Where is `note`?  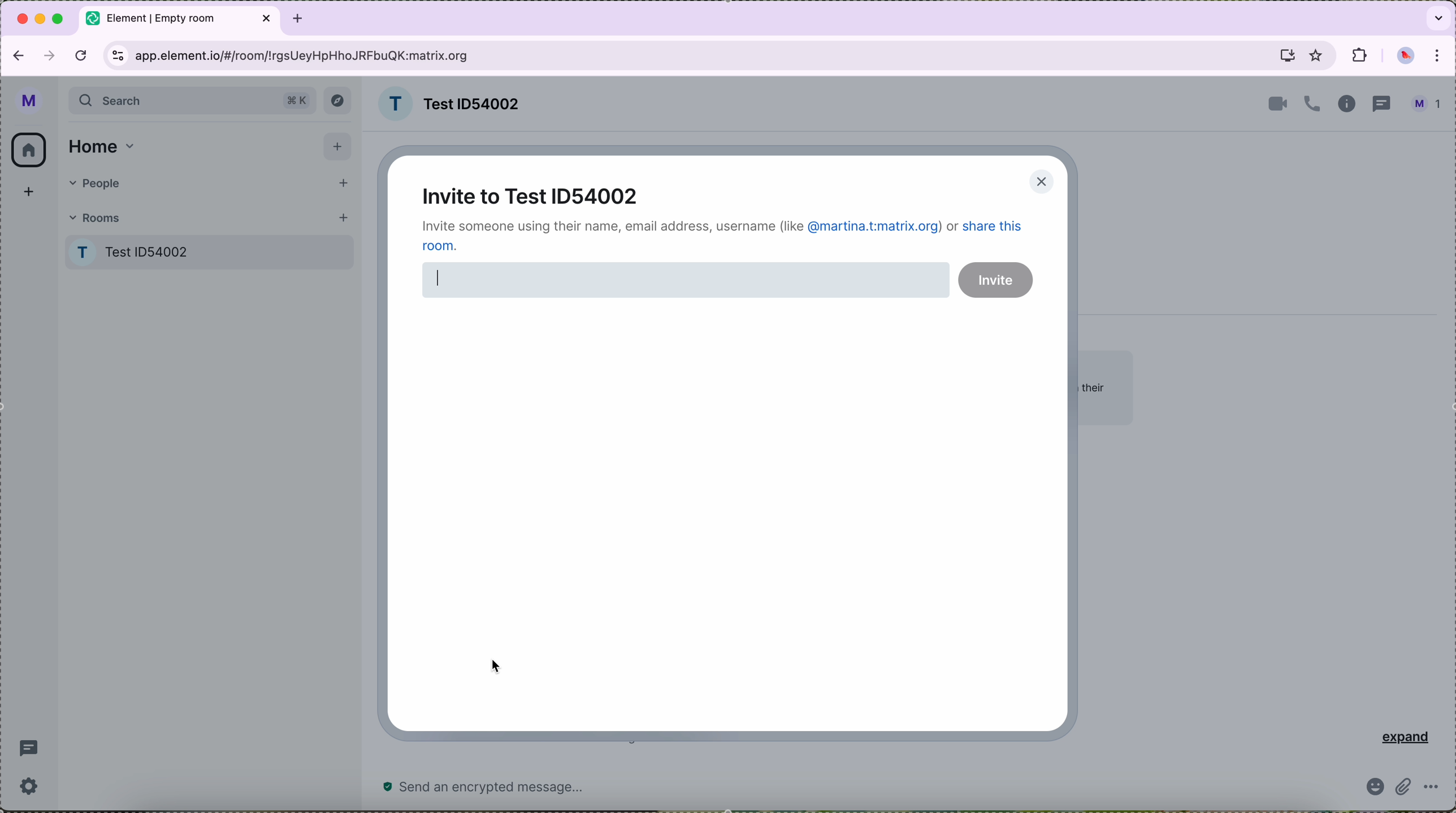 note is located at coordinates (725, 234).